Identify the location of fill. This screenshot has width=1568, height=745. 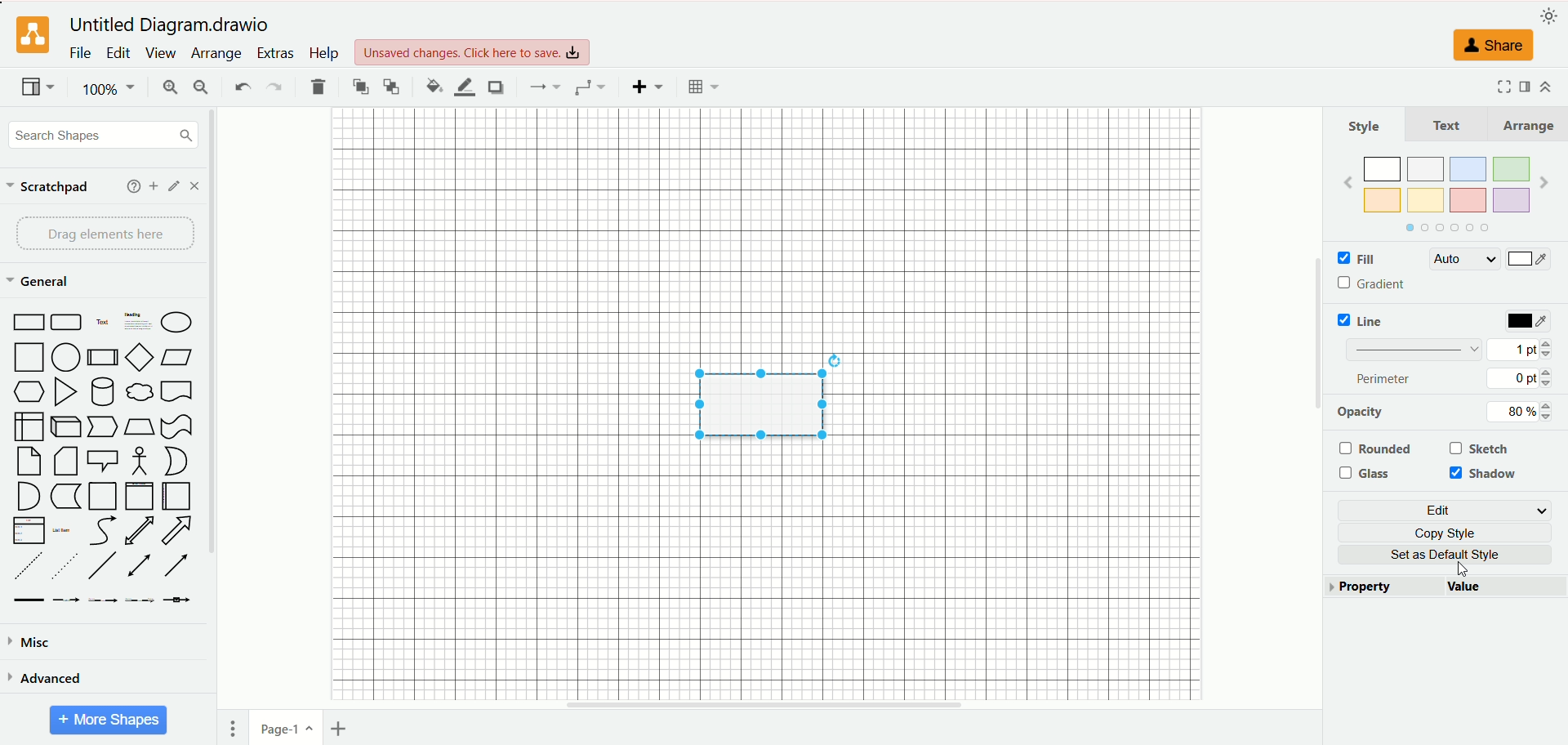
(1355, 260).